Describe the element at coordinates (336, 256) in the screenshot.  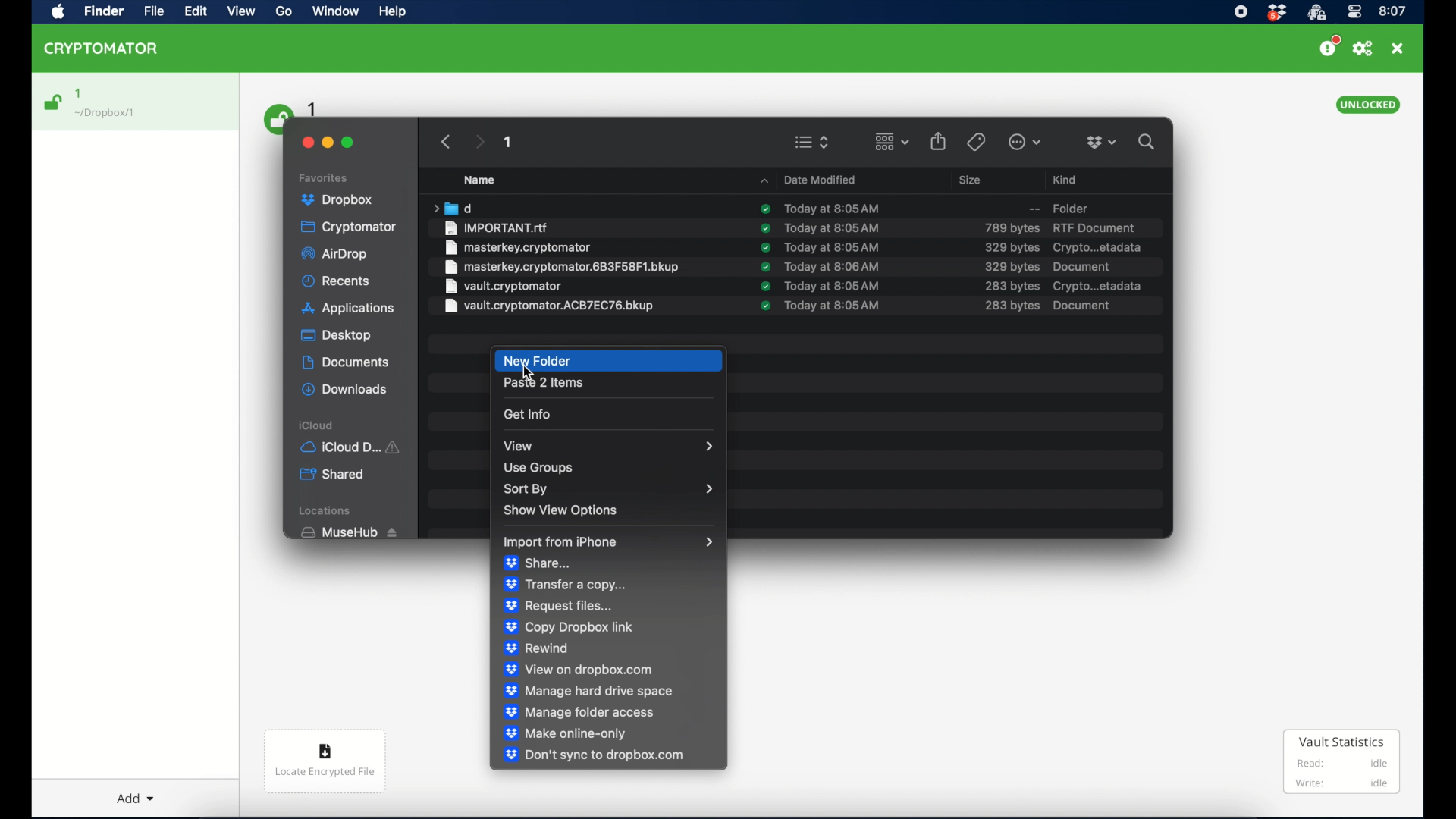
I see `airdrop` at that location.